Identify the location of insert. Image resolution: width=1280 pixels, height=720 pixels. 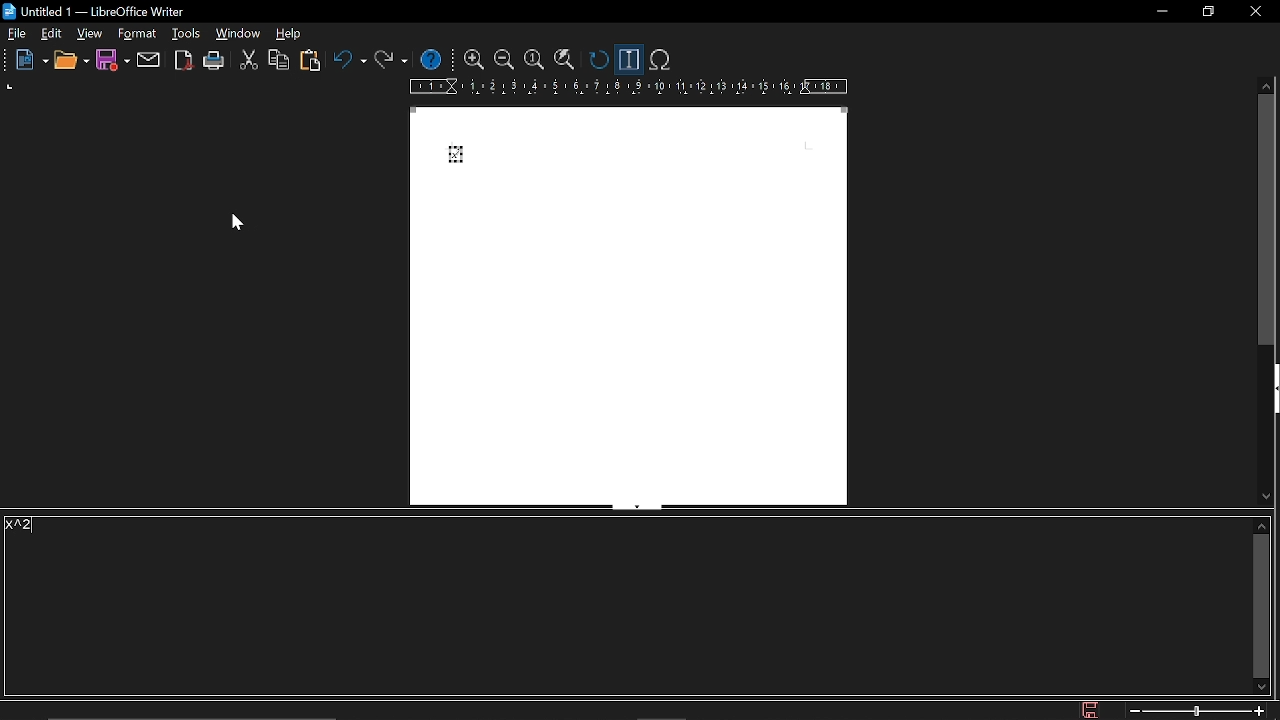
(133, 34).